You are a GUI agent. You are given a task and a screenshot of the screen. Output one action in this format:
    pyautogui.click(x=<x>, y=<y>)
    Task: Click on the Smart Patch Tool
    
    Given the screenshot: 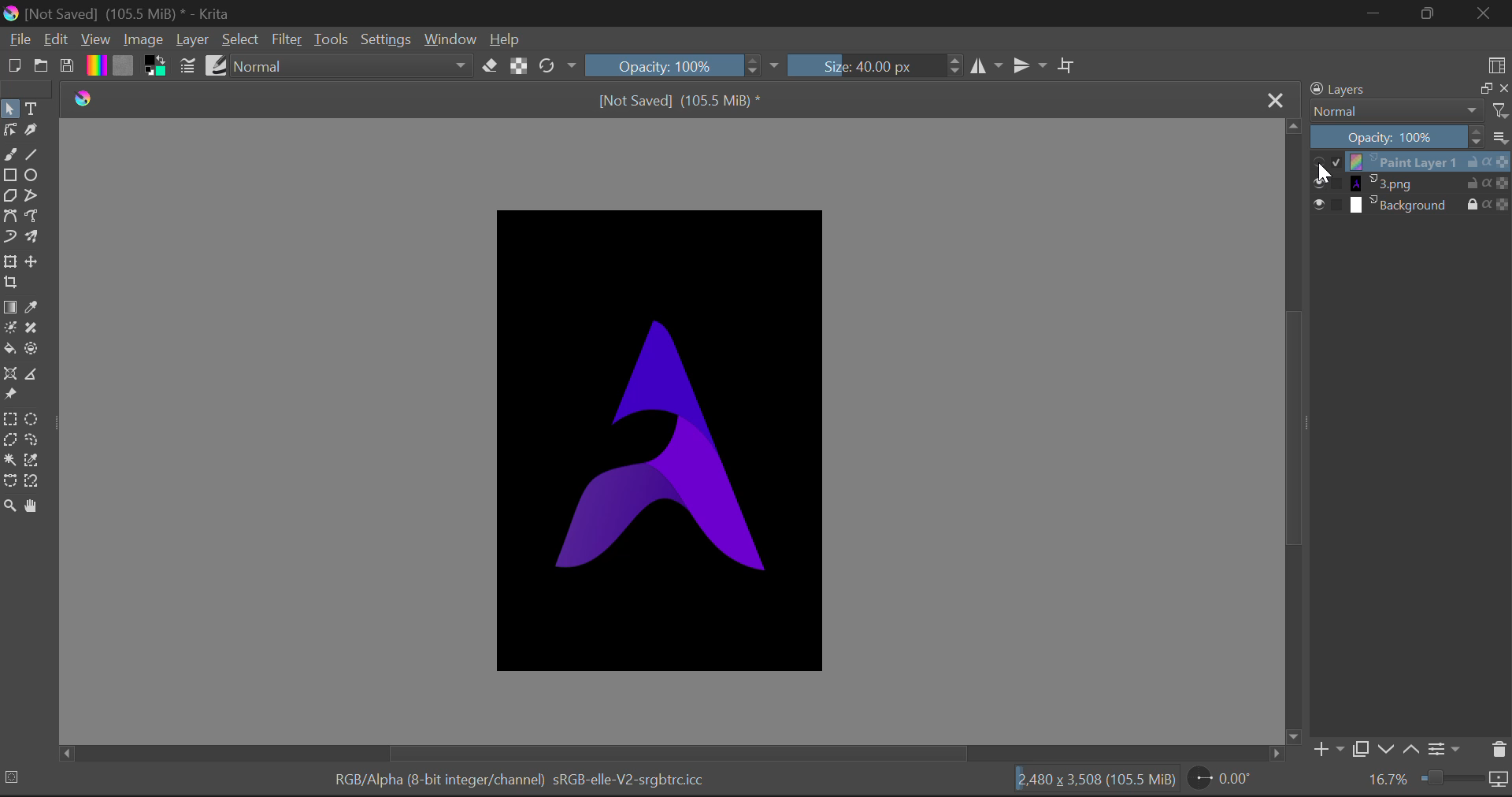 What is the action you would take?
    pyautogui.click(x=31, y=329)
    